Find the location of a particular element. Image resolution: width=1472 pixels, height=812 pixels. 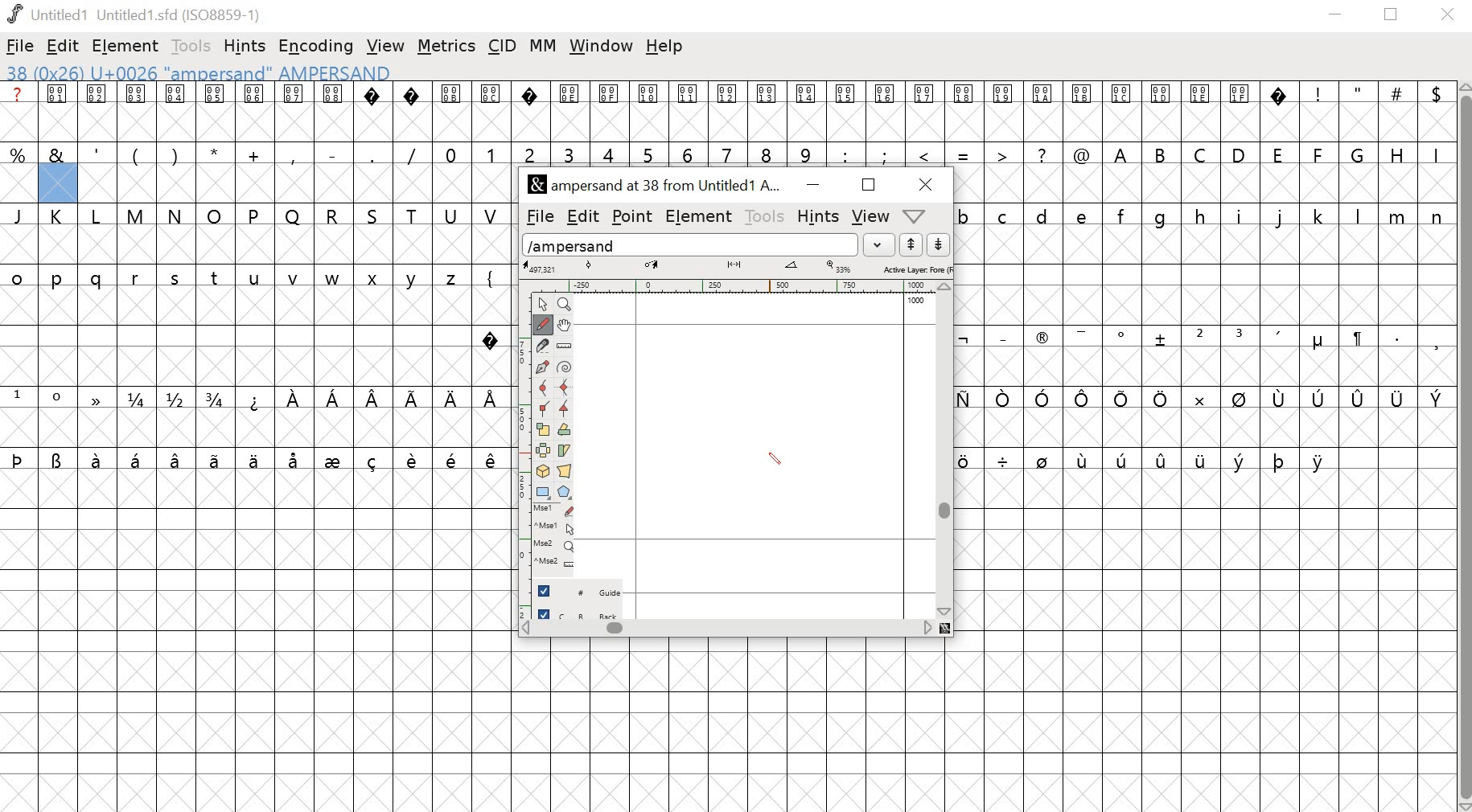

000C is located at coordinates (491, 110).